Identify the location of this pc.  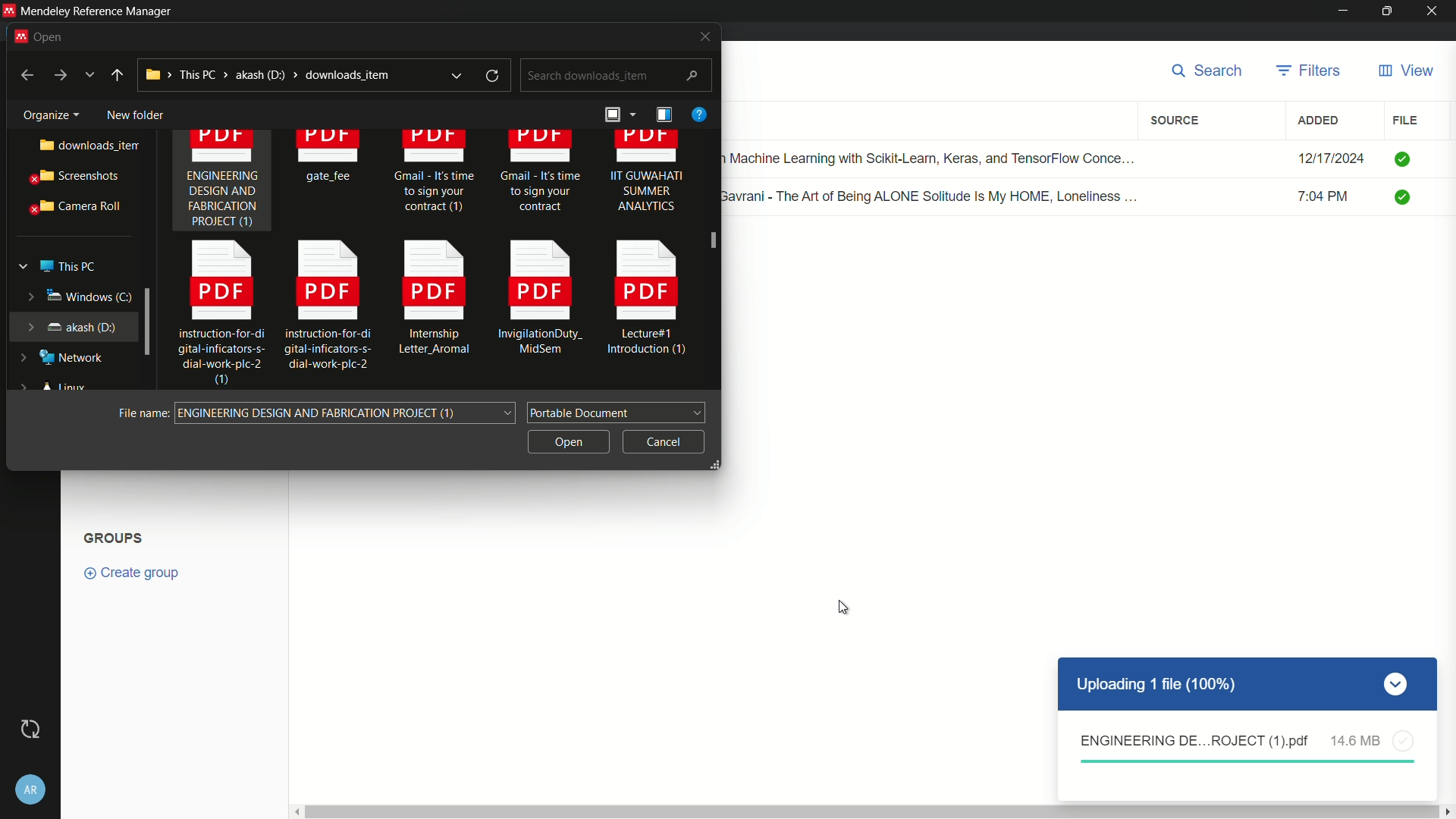
(67, 263).